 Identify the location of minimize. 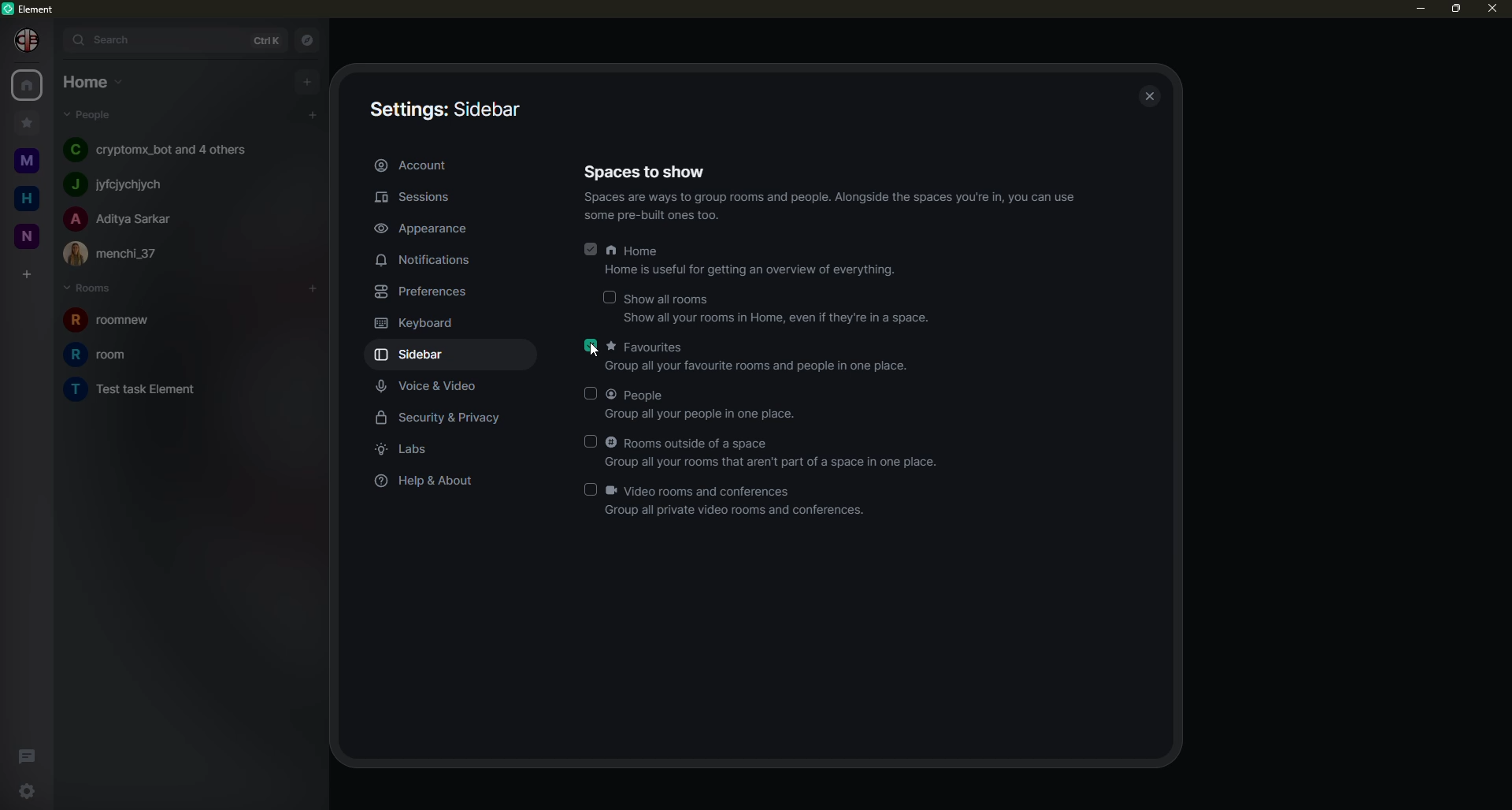
(1411, 9).